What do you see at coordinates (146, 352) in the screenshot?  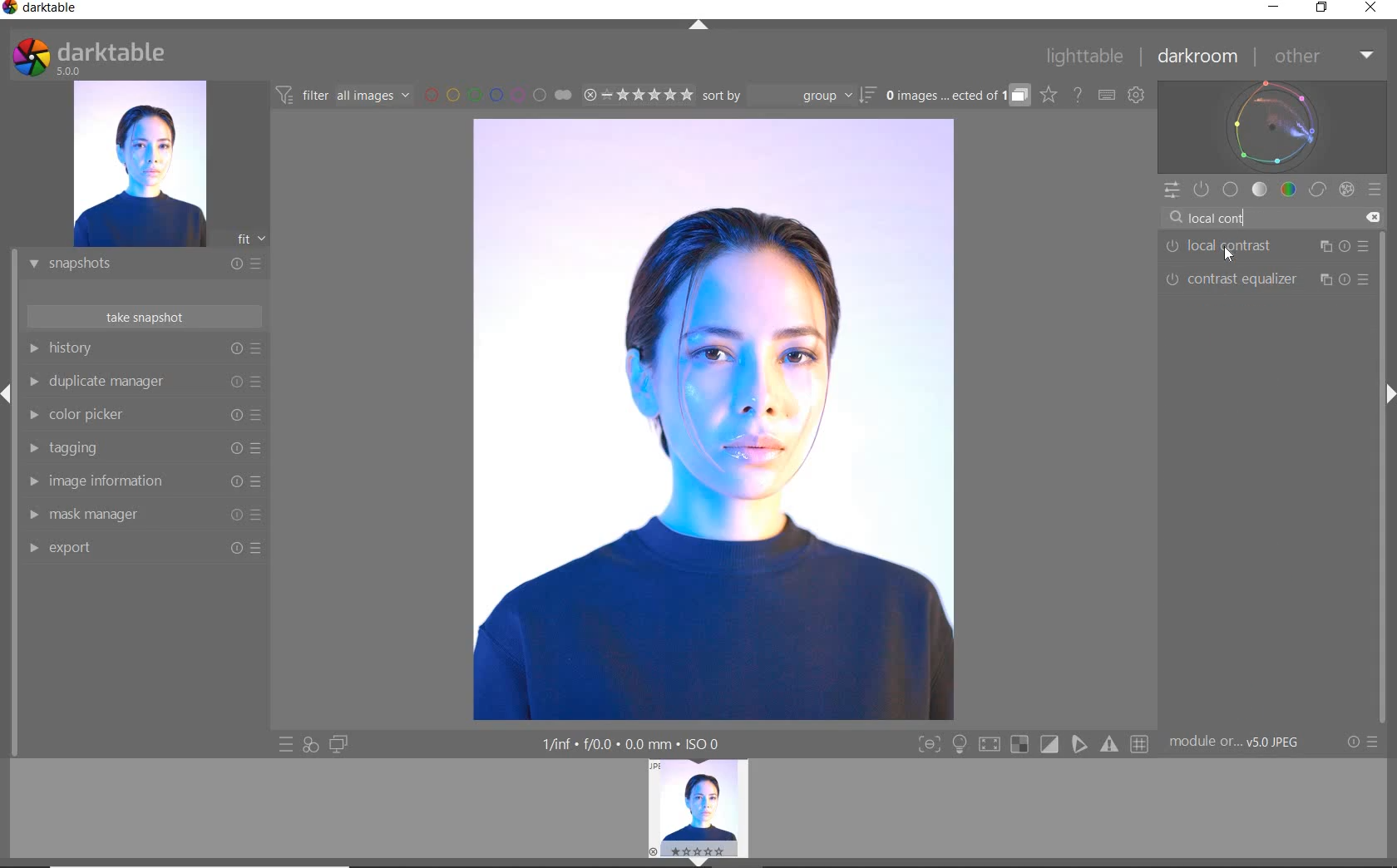 I see `HISTORY` at bounding box center [146, 352].